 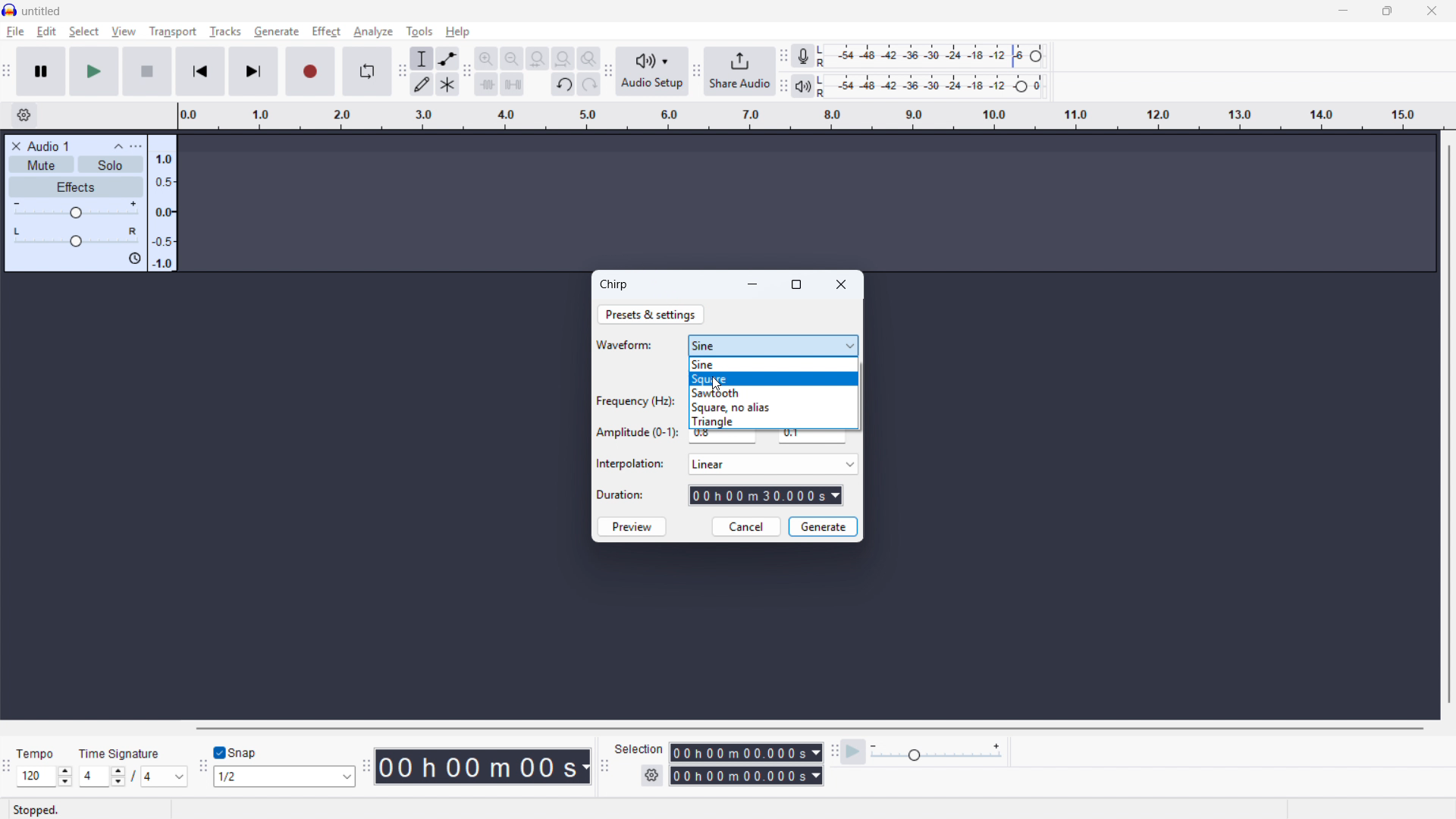 I want to click on Timeline , so click(x=810, y=116).